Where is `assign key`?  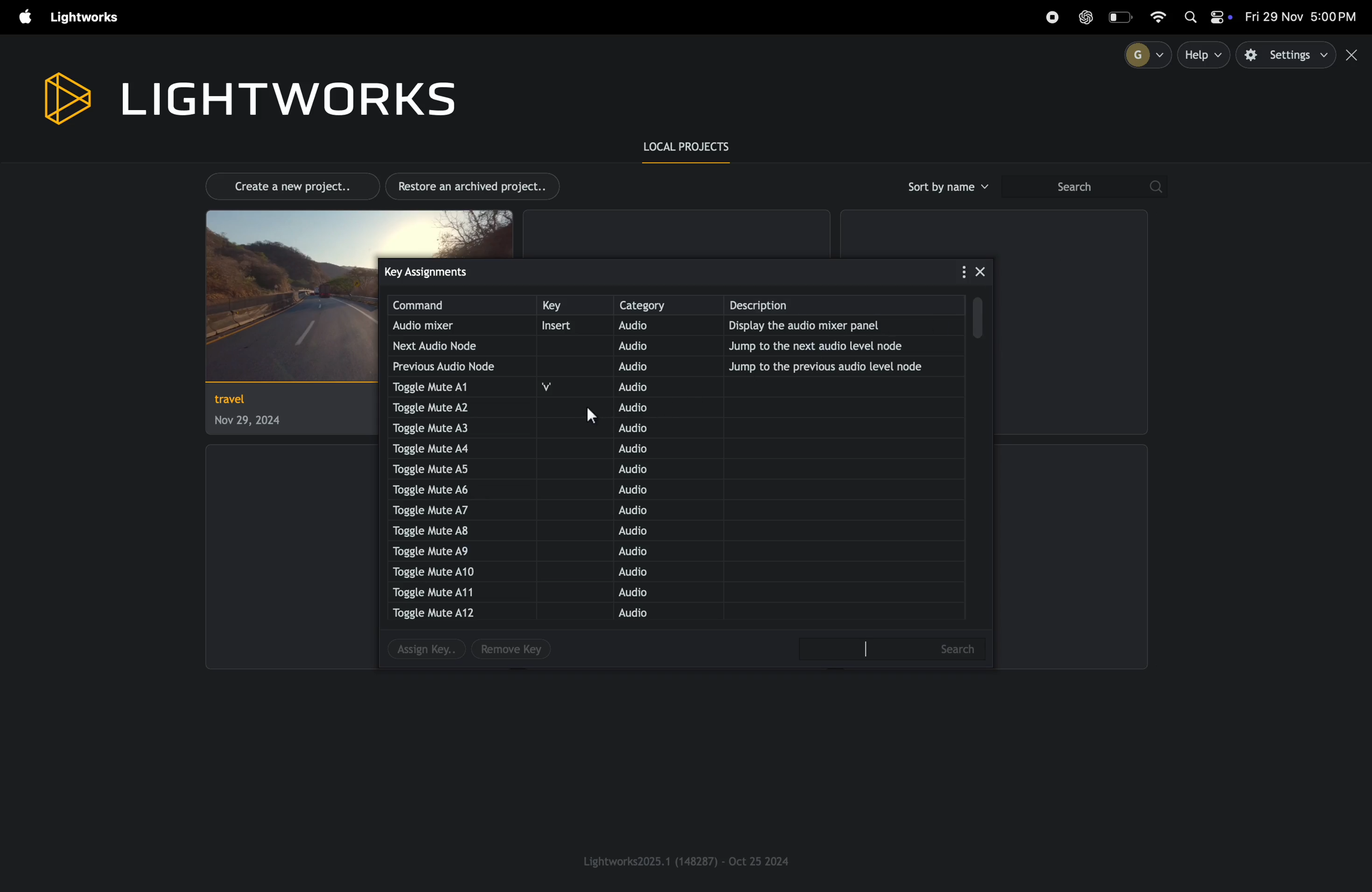
assign key is located at coordinates (422, 651).